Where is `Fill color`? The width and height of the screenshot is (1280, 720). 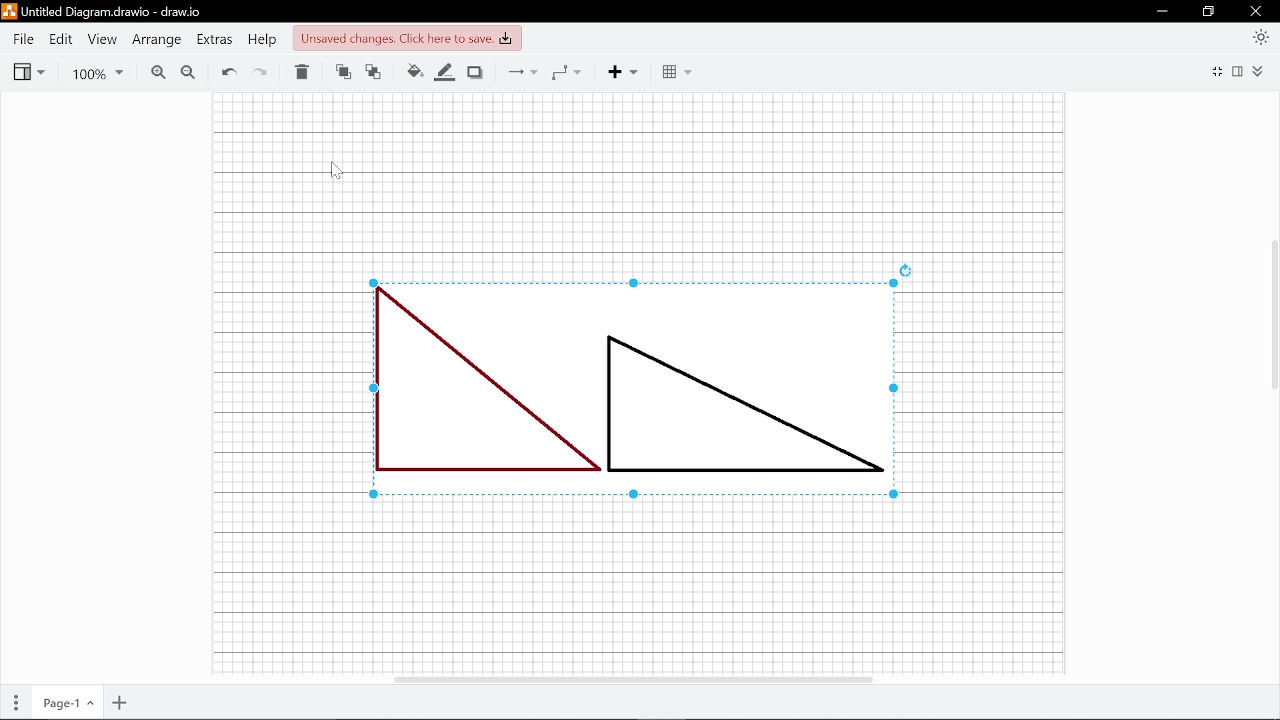 Fill color is located at coordinates (414, 71).